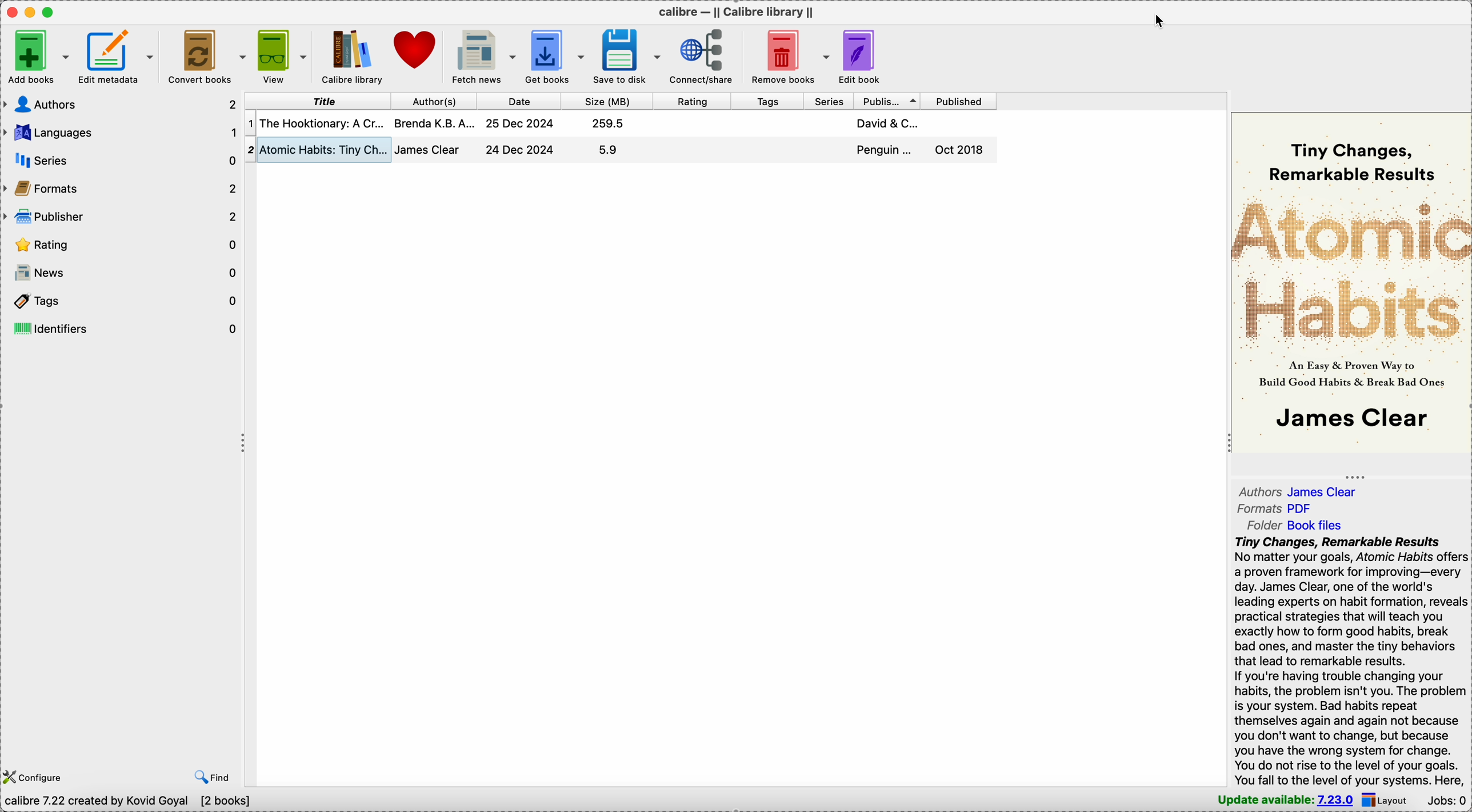 The image size is (1472, 812). I want to click on title, so click(319, 101).